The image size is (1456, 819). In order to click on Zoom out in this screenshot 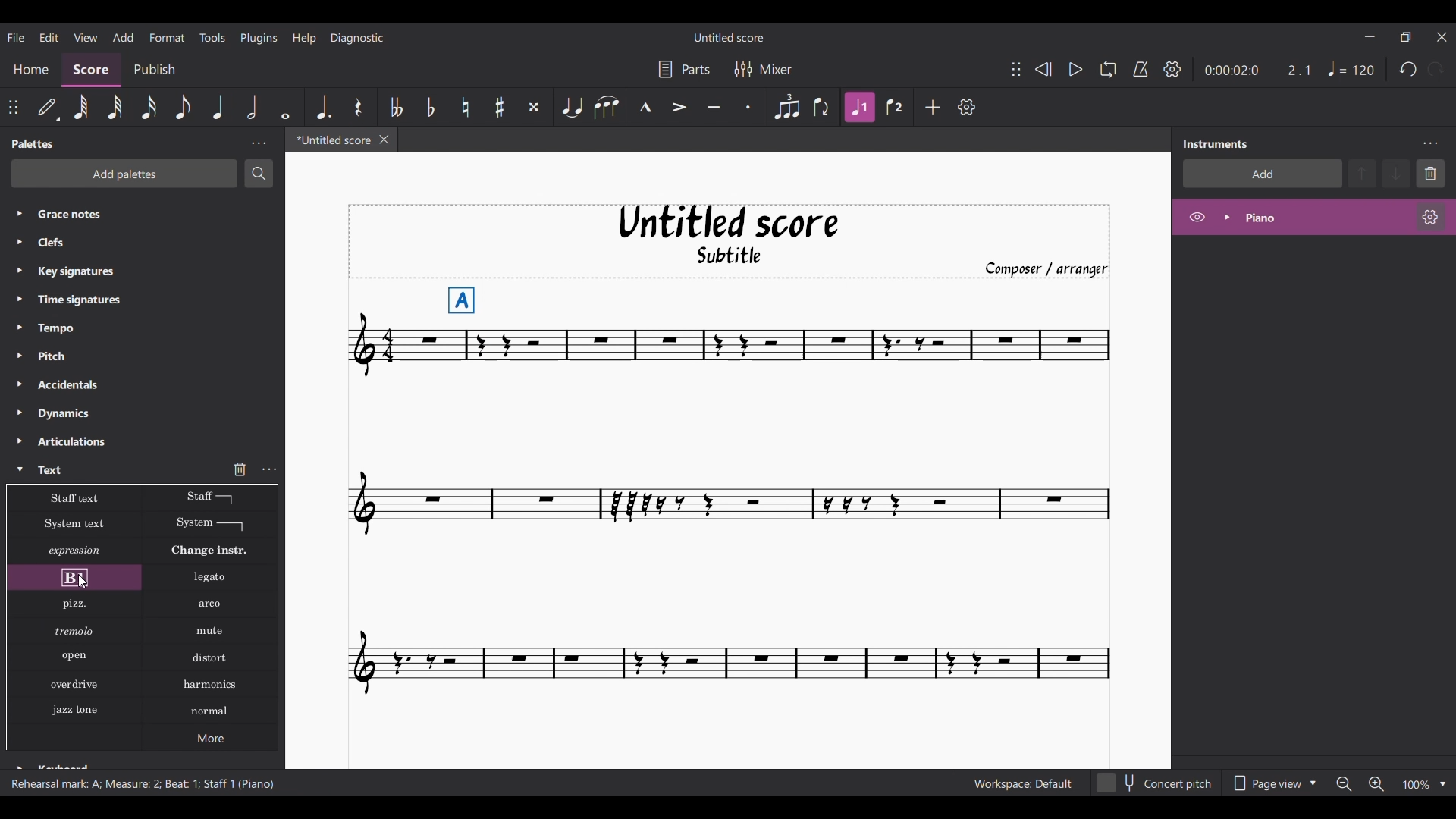, I will do `click(1343, 784)`.